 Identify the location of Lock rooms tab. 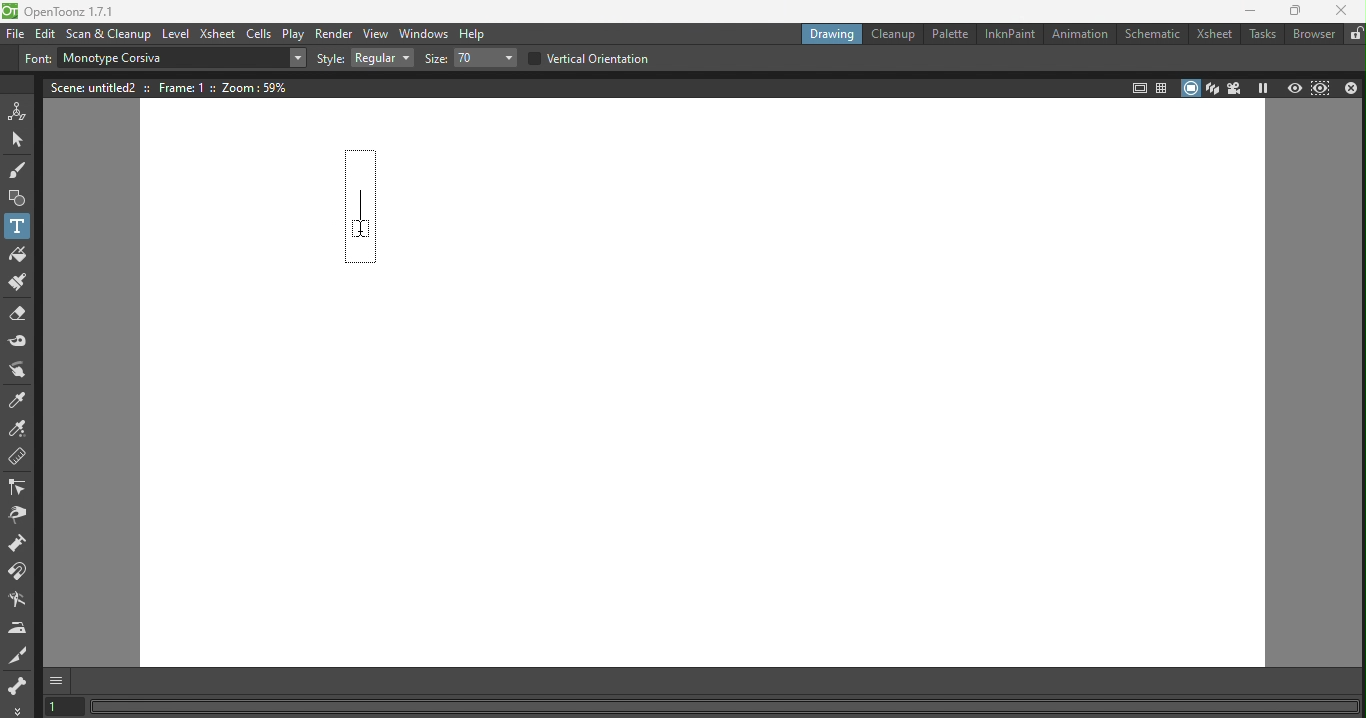
(1354, 35).